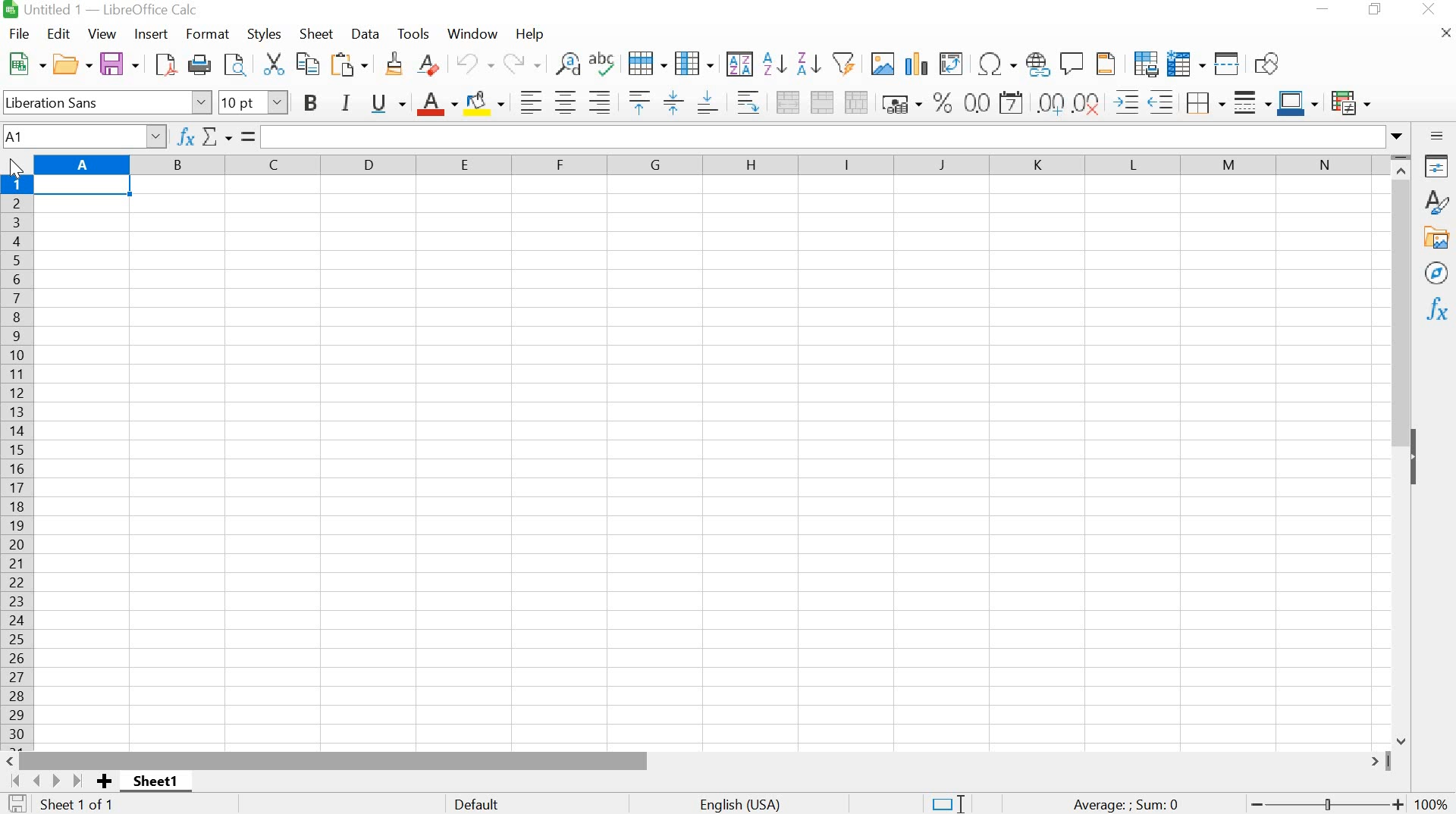 The width and height of the screenshot is (1456, 814). What do you see at coordinates (151, 33) in the screenshot?
I see `INSERT` at bounding box center [151, 33].